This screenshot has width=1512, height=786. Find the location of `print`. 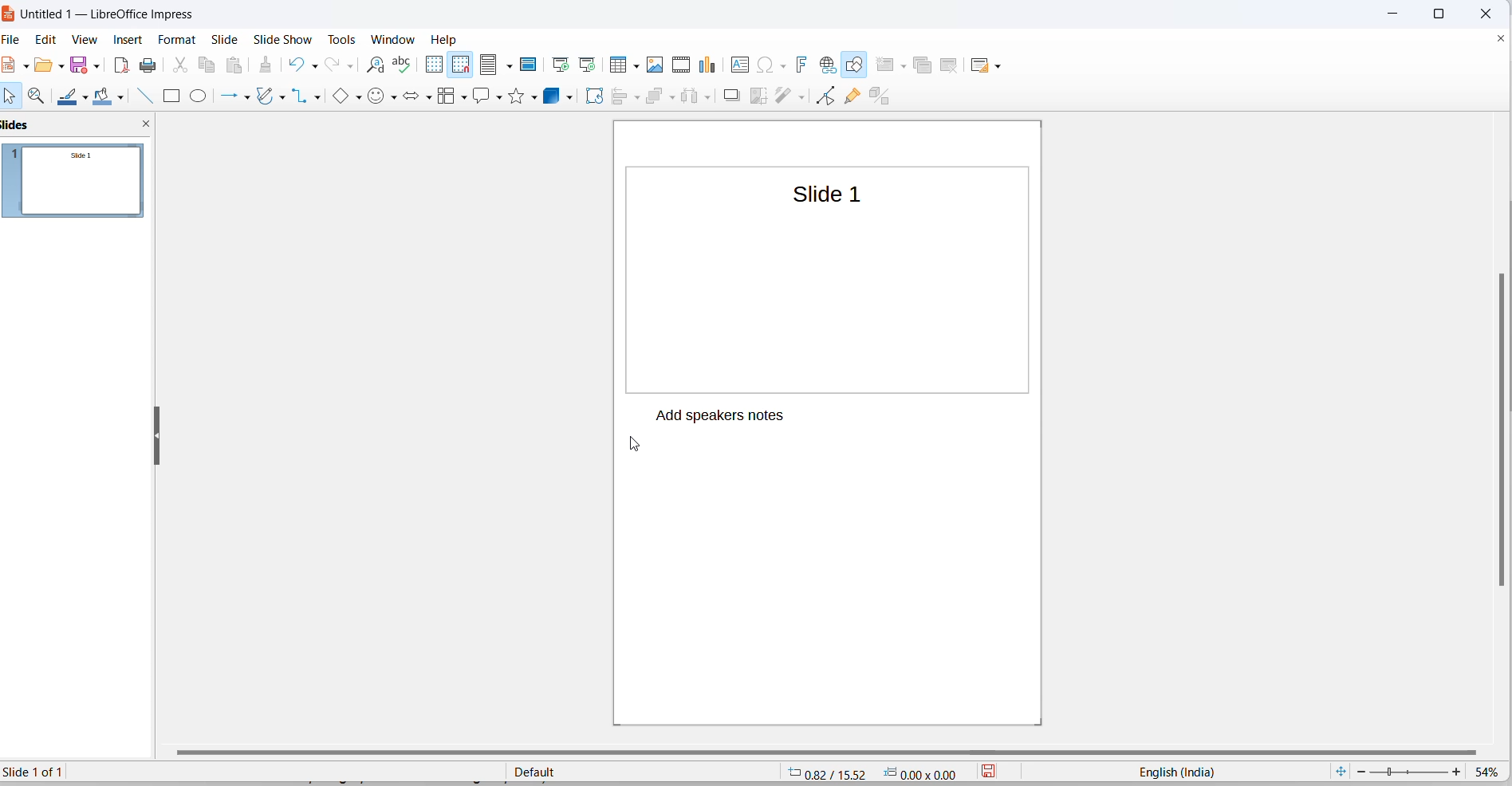

print is located at coordinates (149, 67).